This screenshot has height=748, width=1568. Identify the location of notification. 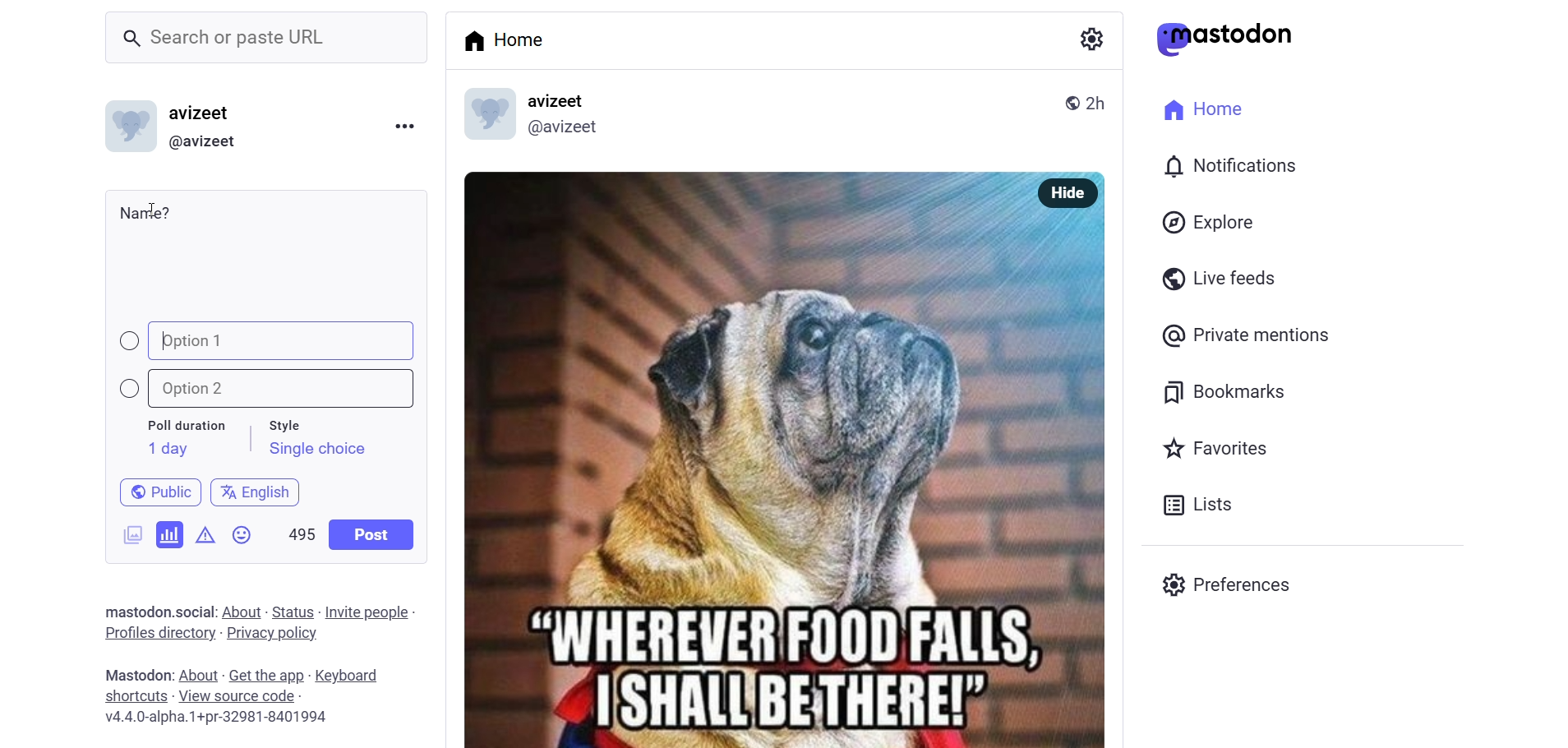
(1228, 168).